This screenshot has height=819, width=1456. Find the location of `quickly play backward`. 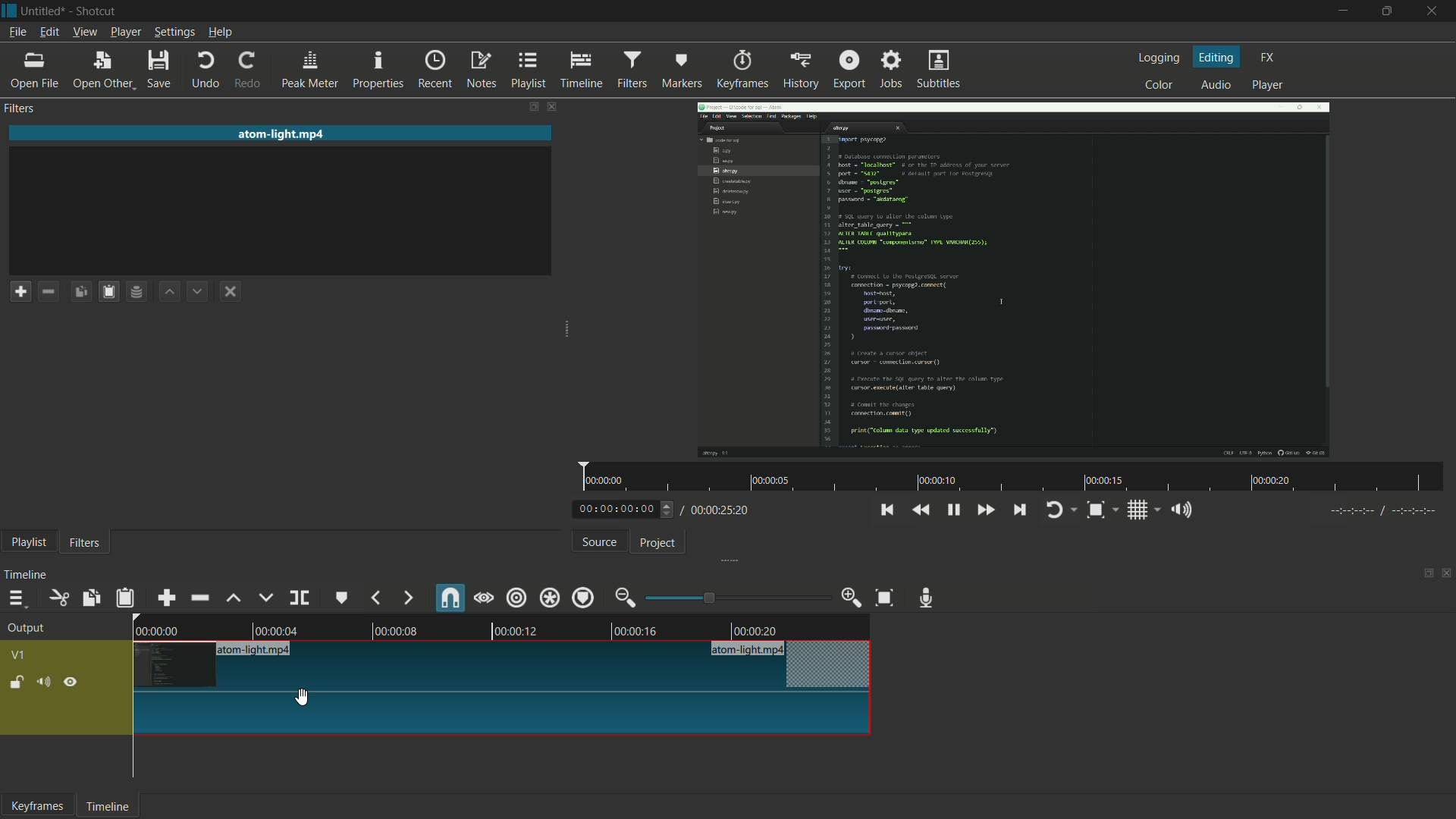

quickly play backward is located at coordinates (921, 510).